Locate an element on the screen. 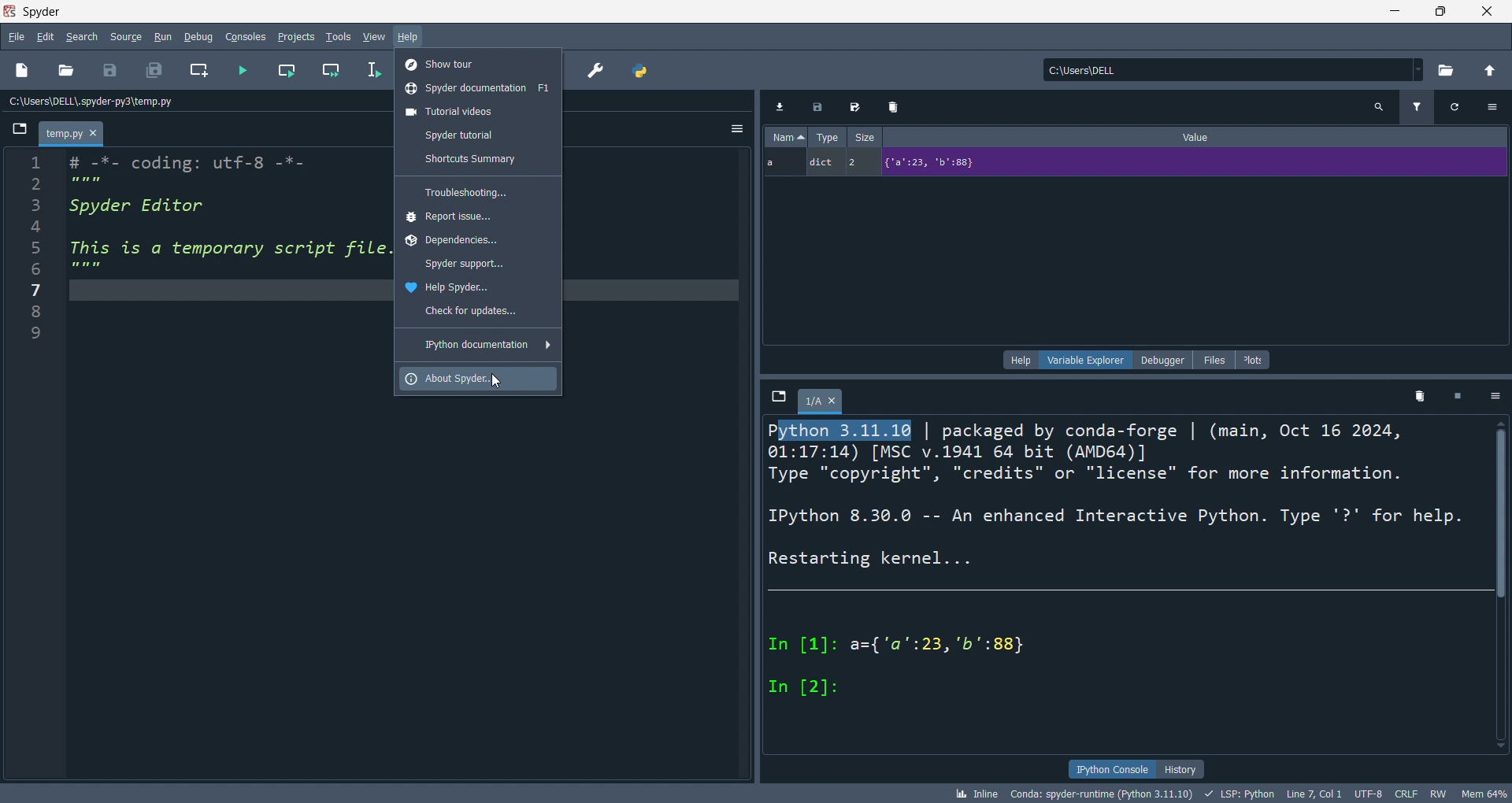 The image size is (1512, 803). Name is located at coordinates (786, 136).